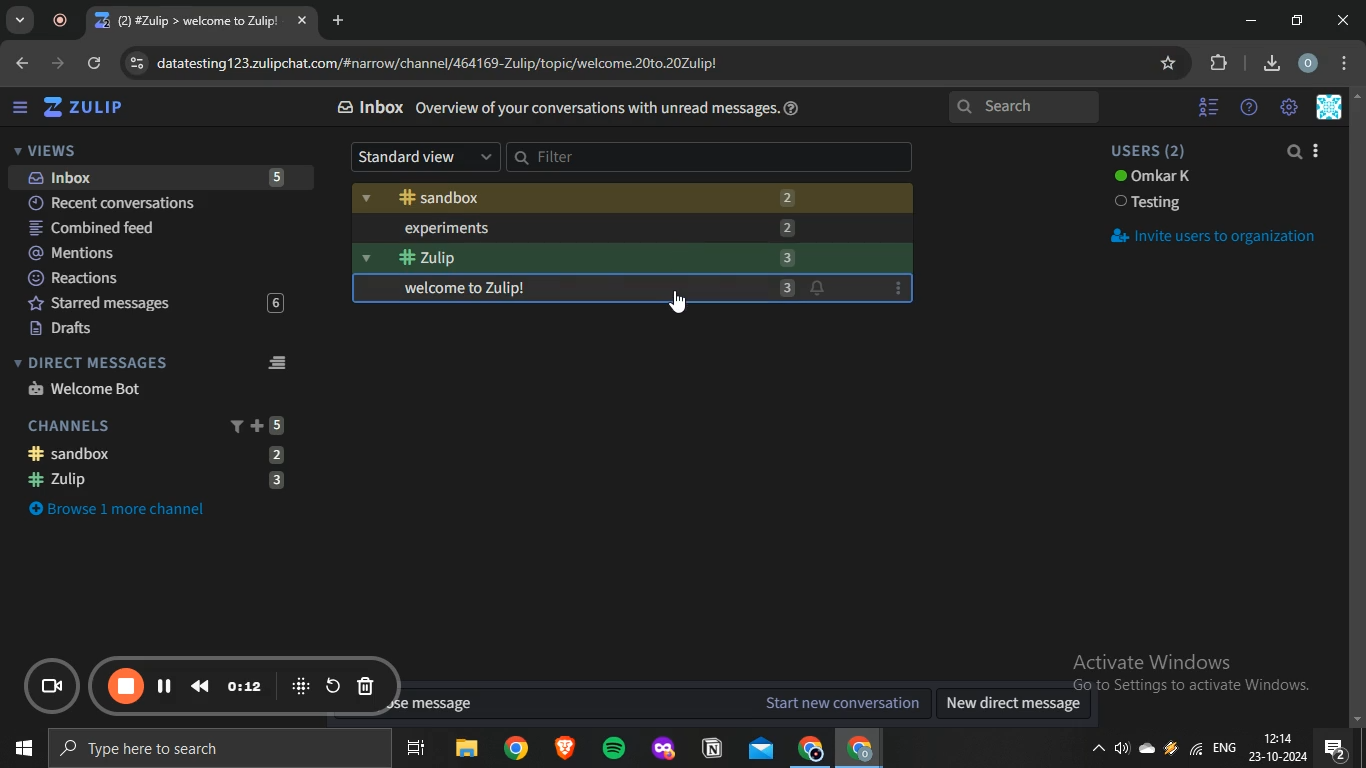 Image resolution: width=1366 pixels, height=768 pixels. Describe the element at coordinates (898, 289) in the screenshot. I see `:` at that location.